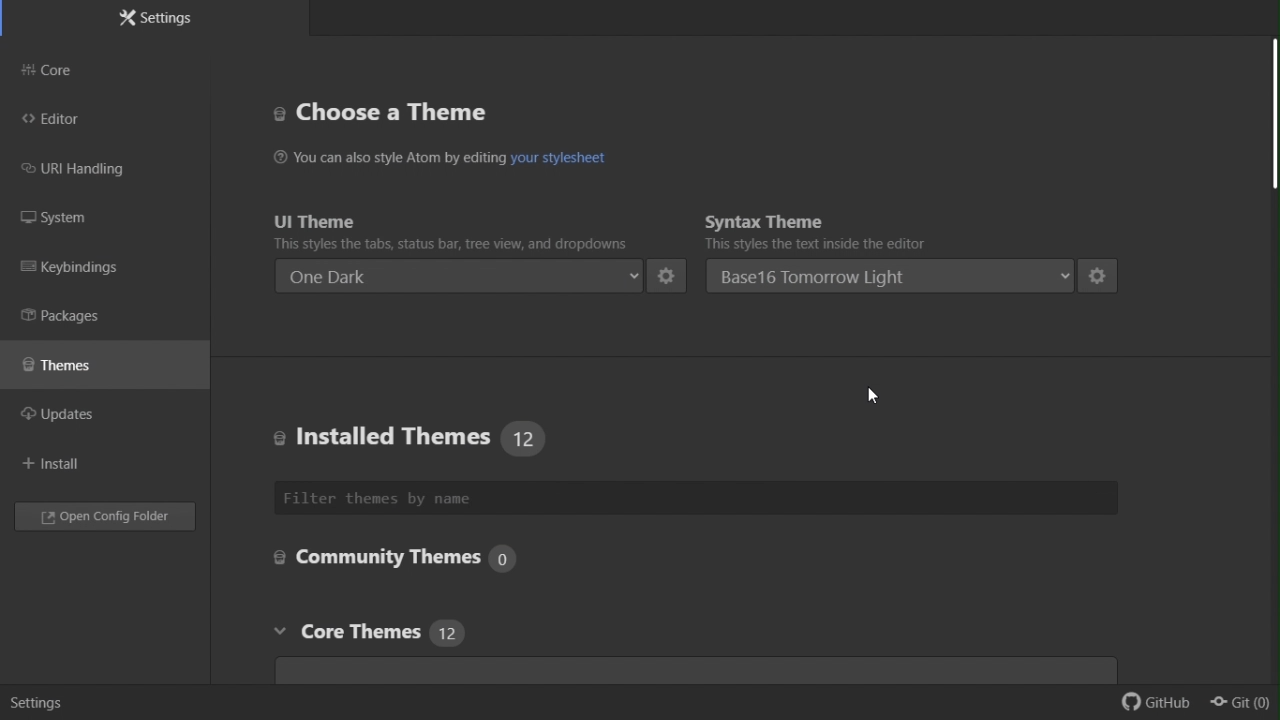  Describe the element at coordinates (61, 465) in the screenshot. I see `` at that location.